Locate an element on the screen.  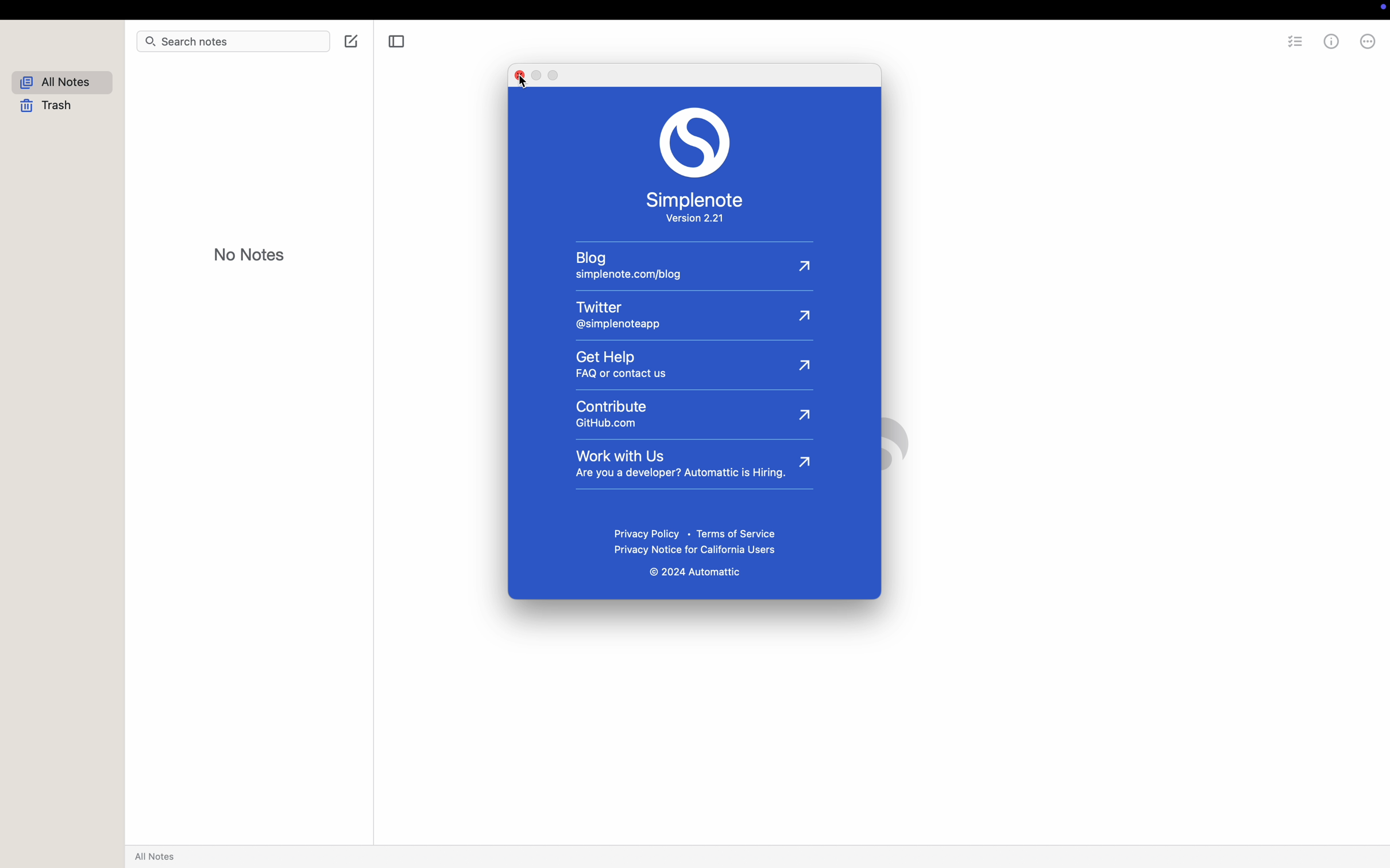
all notes is located at coordinates (63, 82).